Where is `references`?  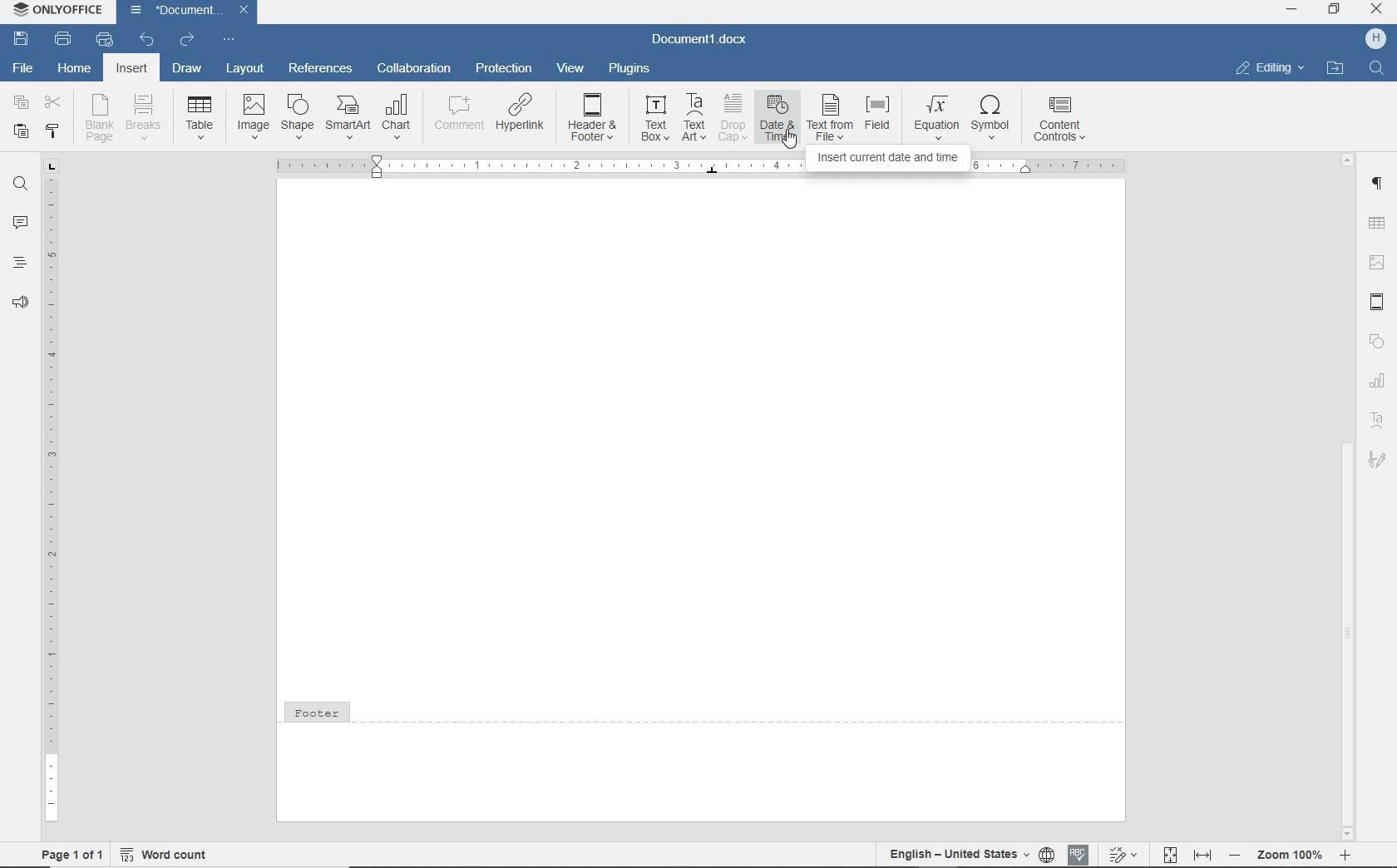 references is located at coordinates (321, 67).